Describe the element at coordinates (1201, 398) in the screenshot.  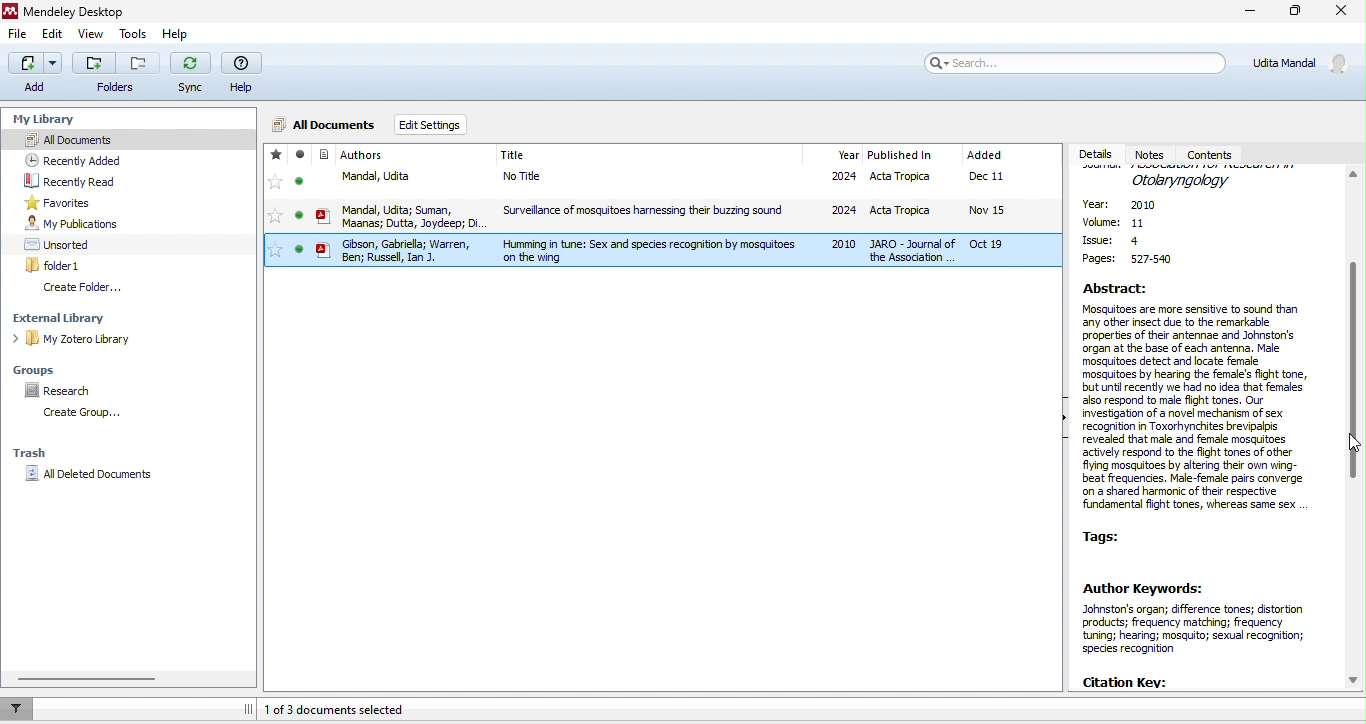
I see `abstract` at that location.